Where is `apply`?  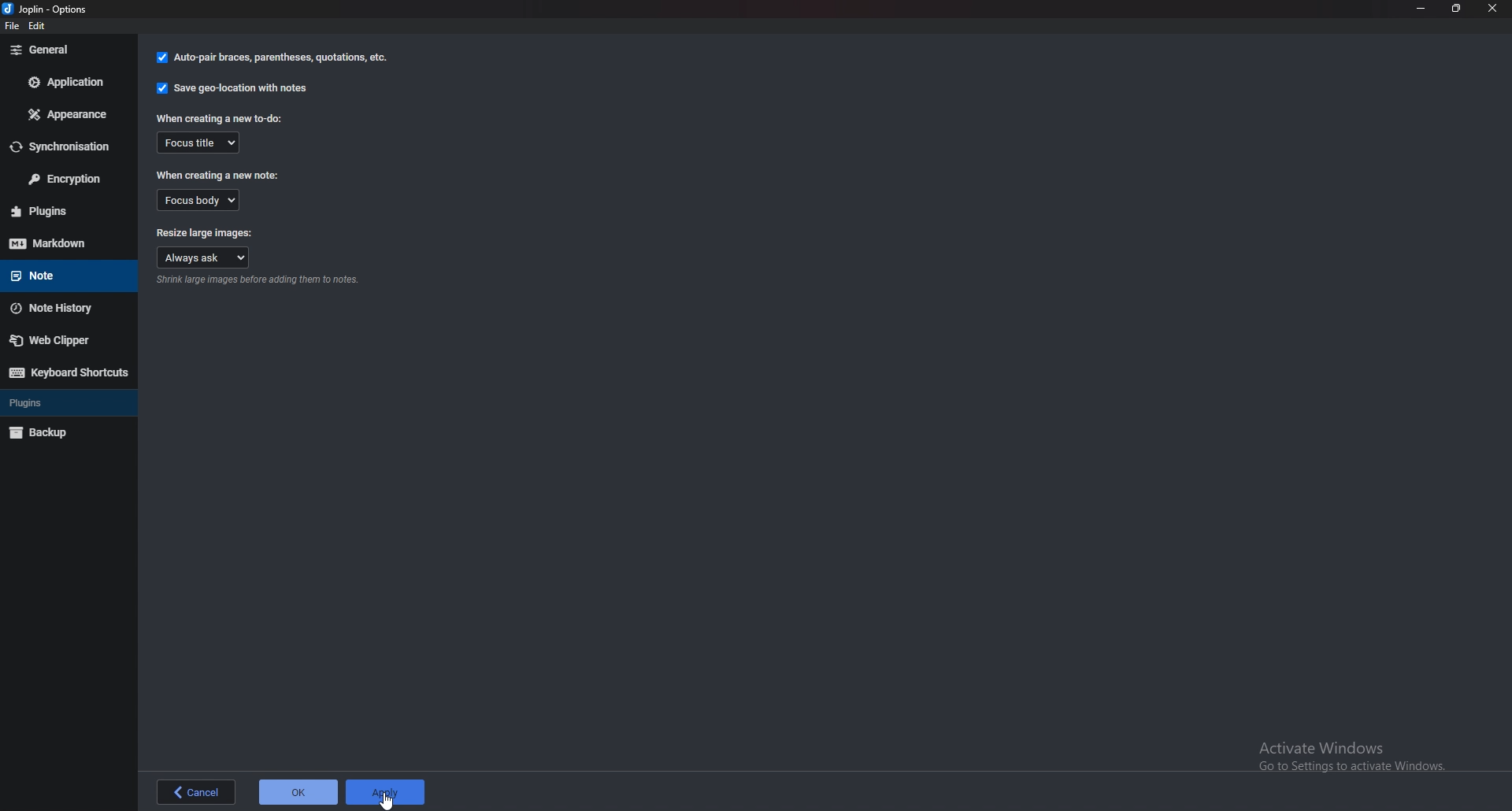
apply is located at coordinates (387, 791).